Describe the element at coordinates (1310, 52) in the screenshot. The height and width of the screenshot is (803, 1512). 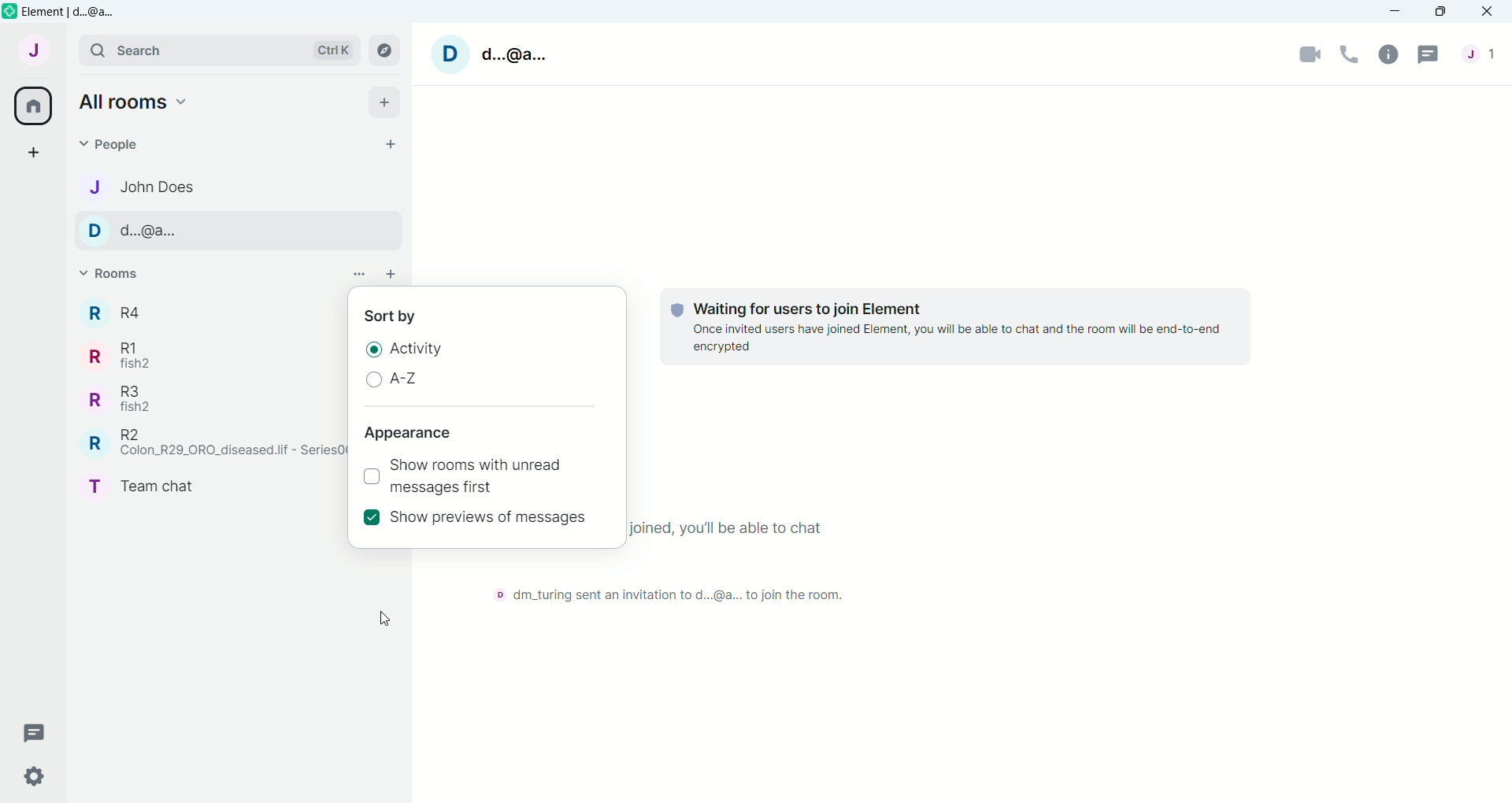
I see `Video call` at that location.